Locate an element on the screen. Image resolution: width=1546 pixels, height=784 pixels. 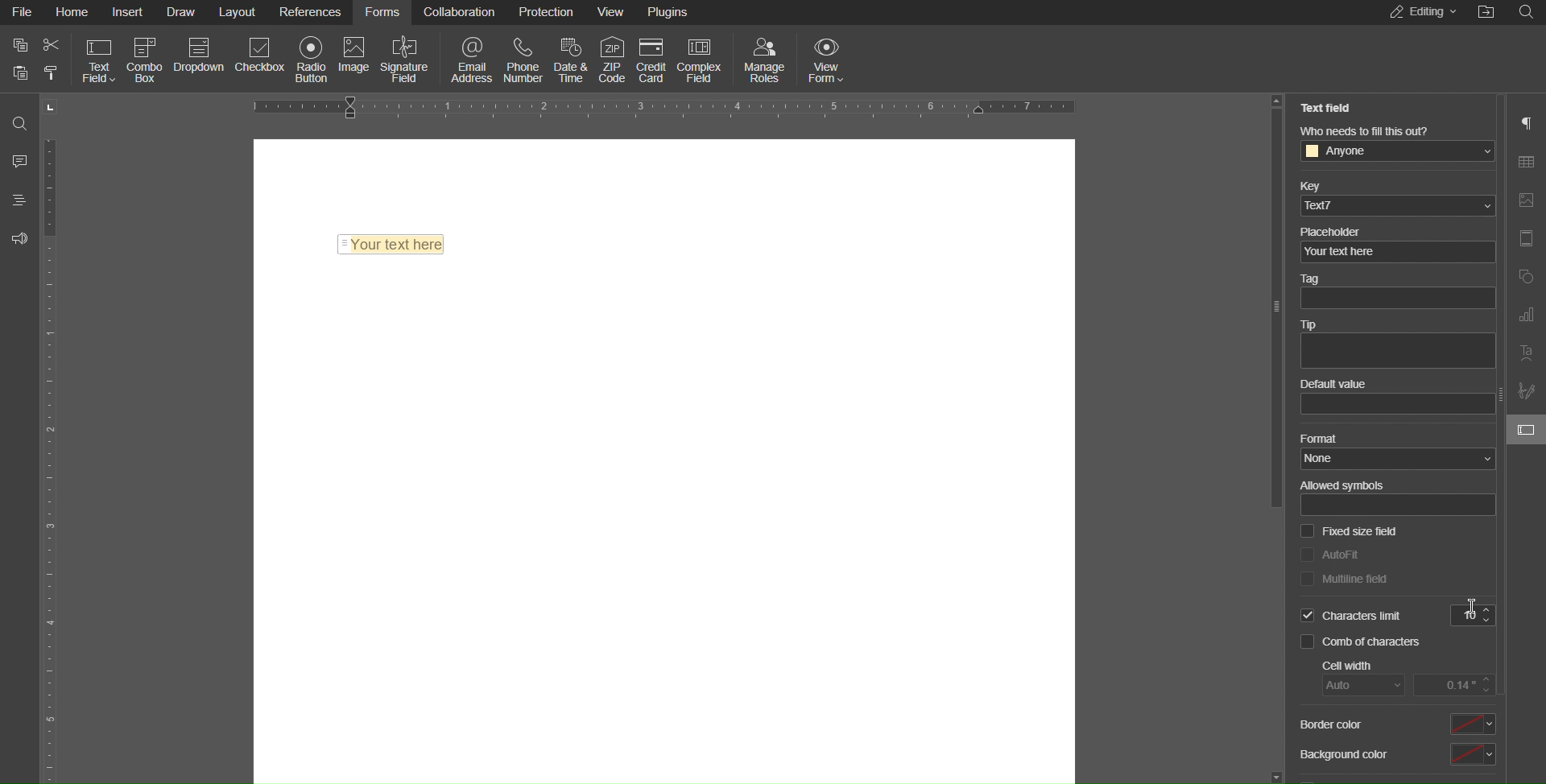
Who needs to fill this out is located at coordinates (1397, 143).